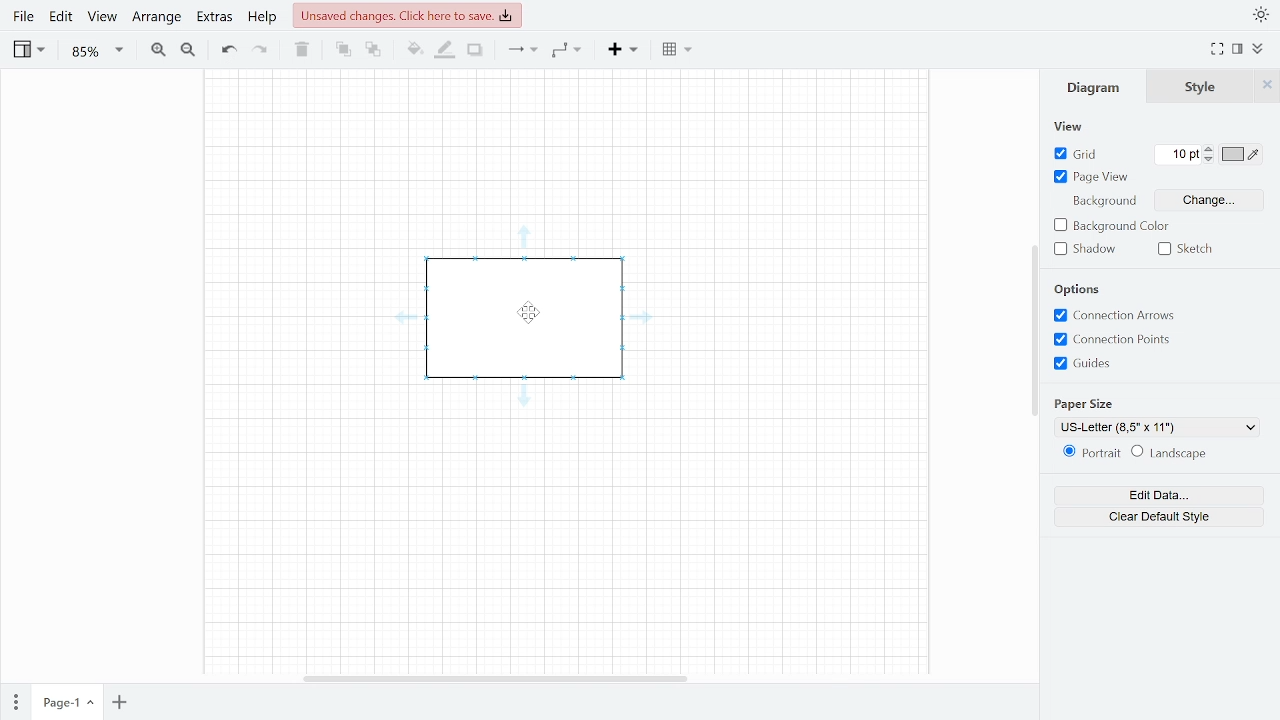 This screenshot has width=1280, height=720. What do you see at coordinates (118, 704) in the screenshot?
I see `Add page` at bounding box center [118, 704].